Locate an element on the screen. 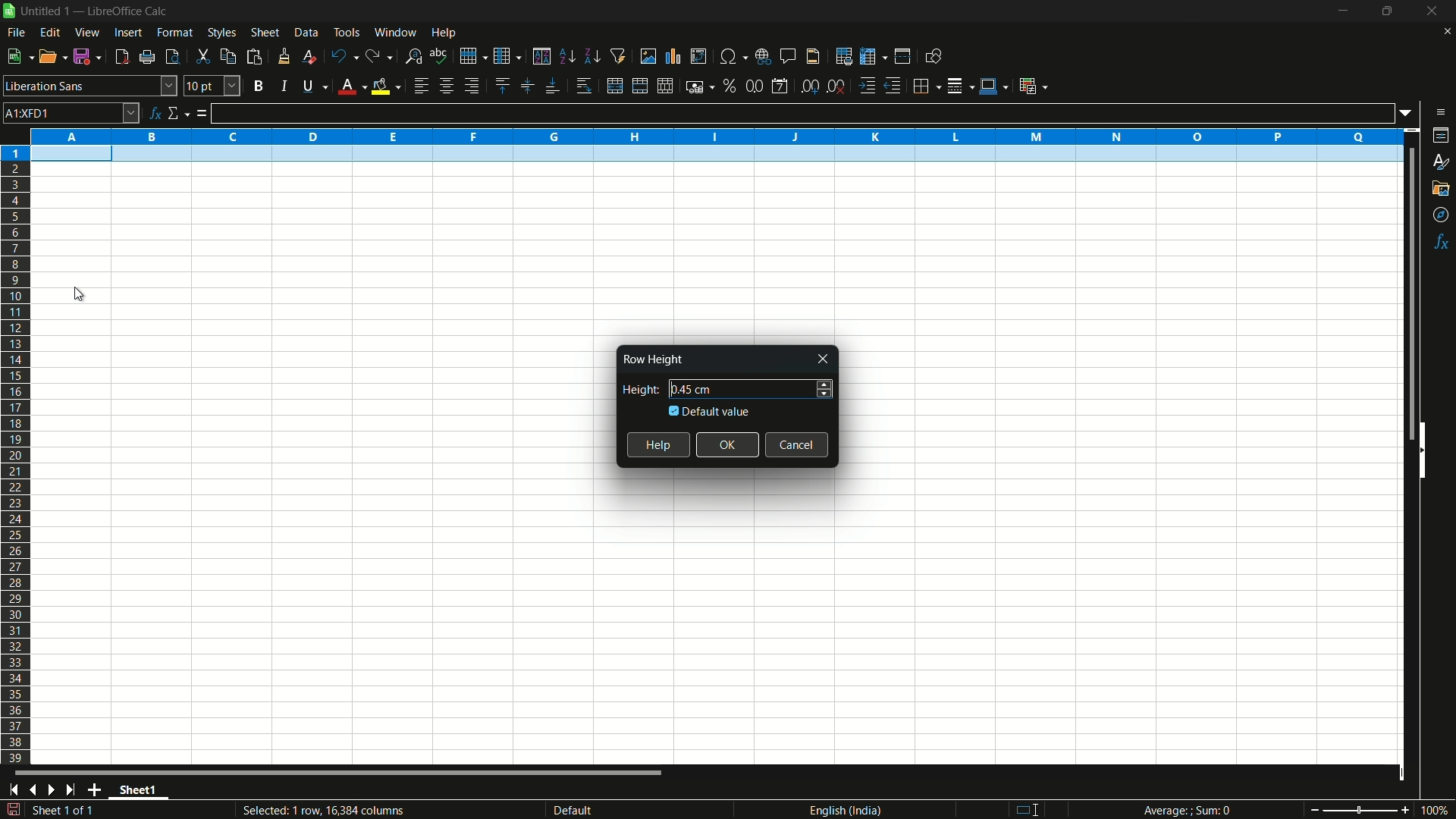 This screenshot has width=1456, height=819. align top is located at coordinates (501, 86).